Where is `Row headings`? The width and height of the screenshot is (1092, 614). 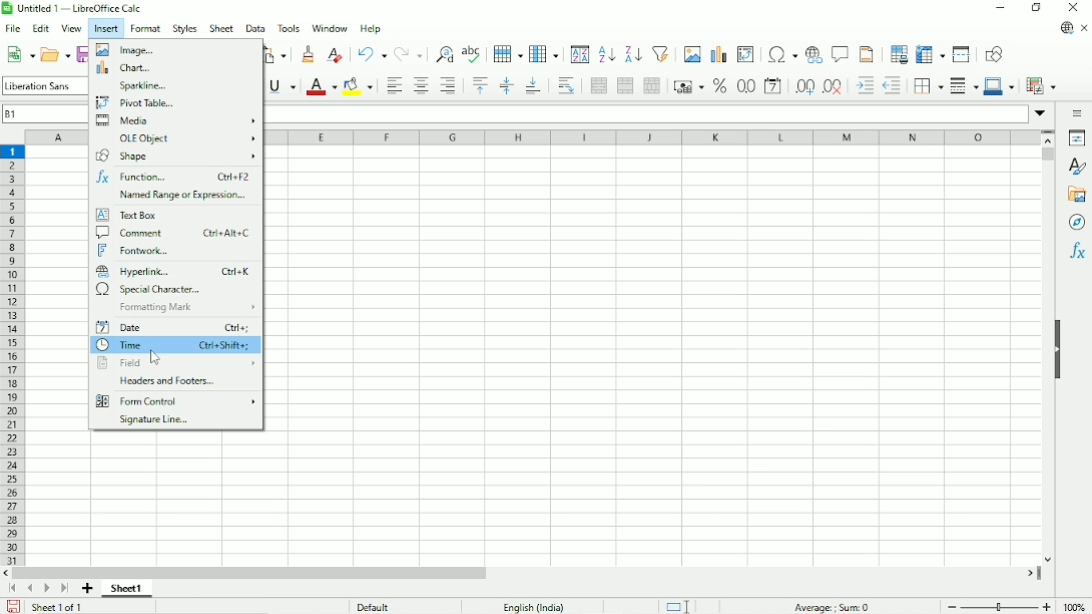
Row headings is located at coordinates (14, 356).